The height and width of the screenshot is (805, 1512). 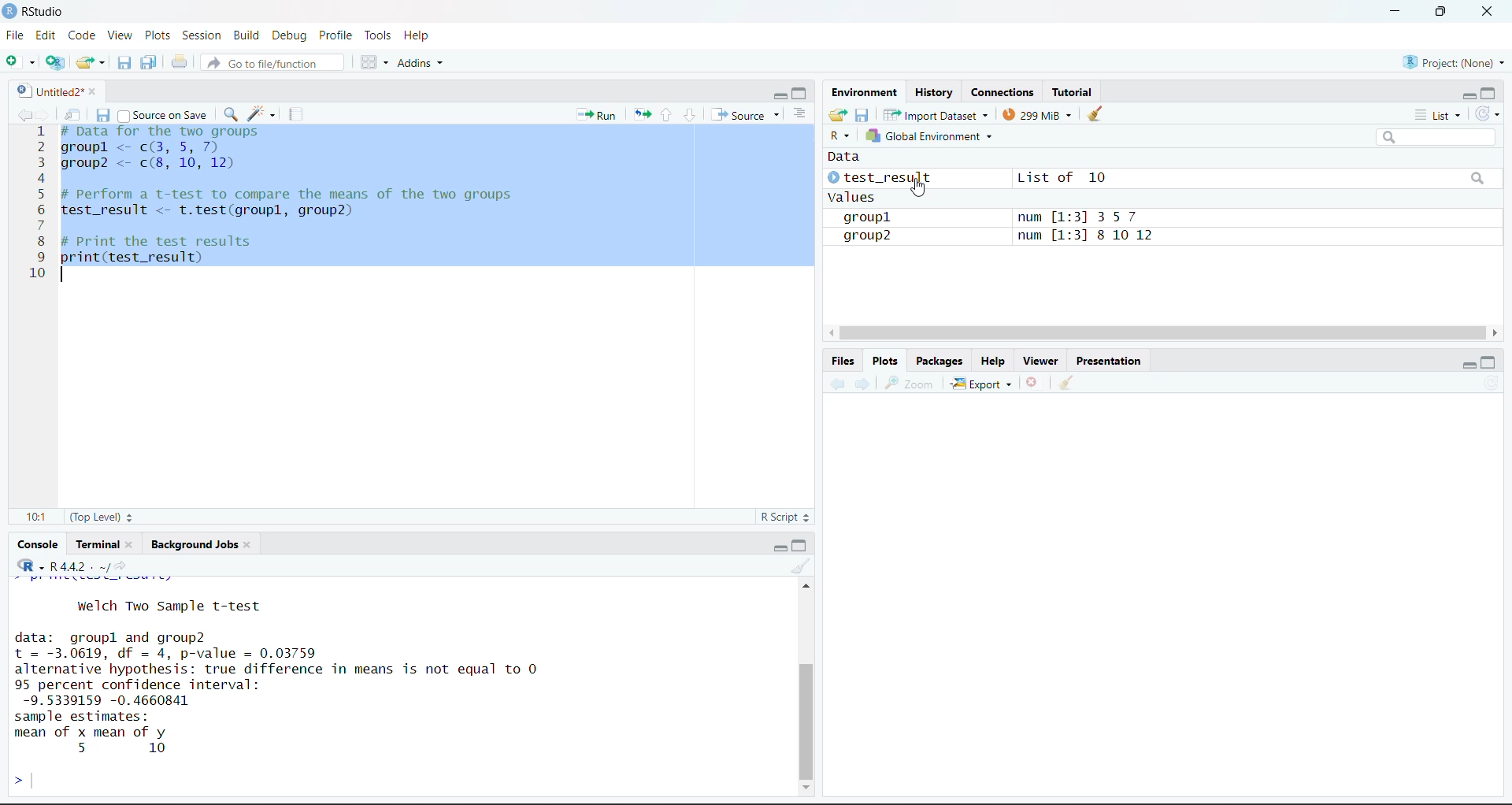 What do you see at coordinates (839, 136) in the screenshot?
I see `R` at bounding box center [839, 136].